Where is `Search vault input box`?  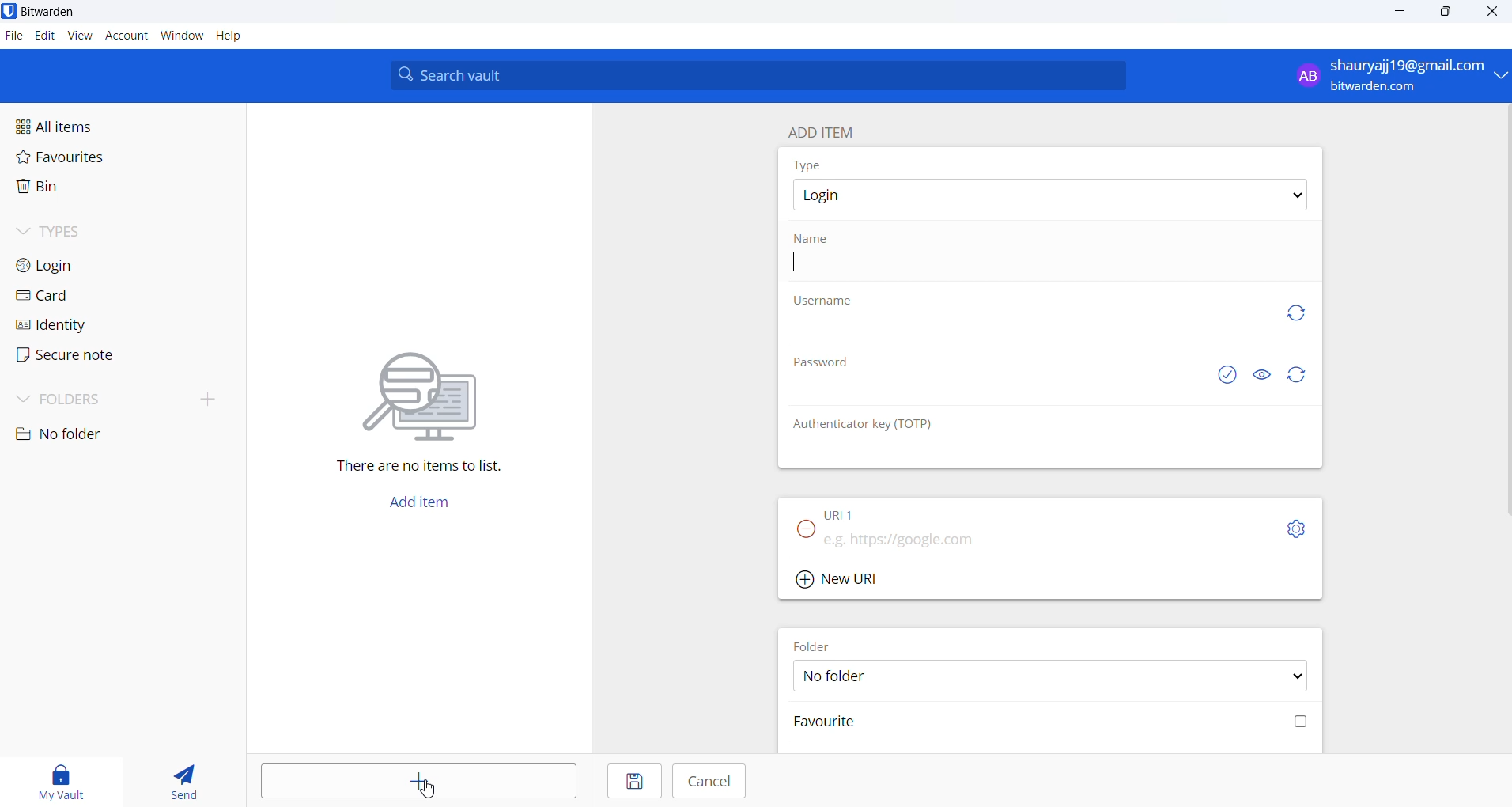
Search vault input box is located at coordinates (753, 75).